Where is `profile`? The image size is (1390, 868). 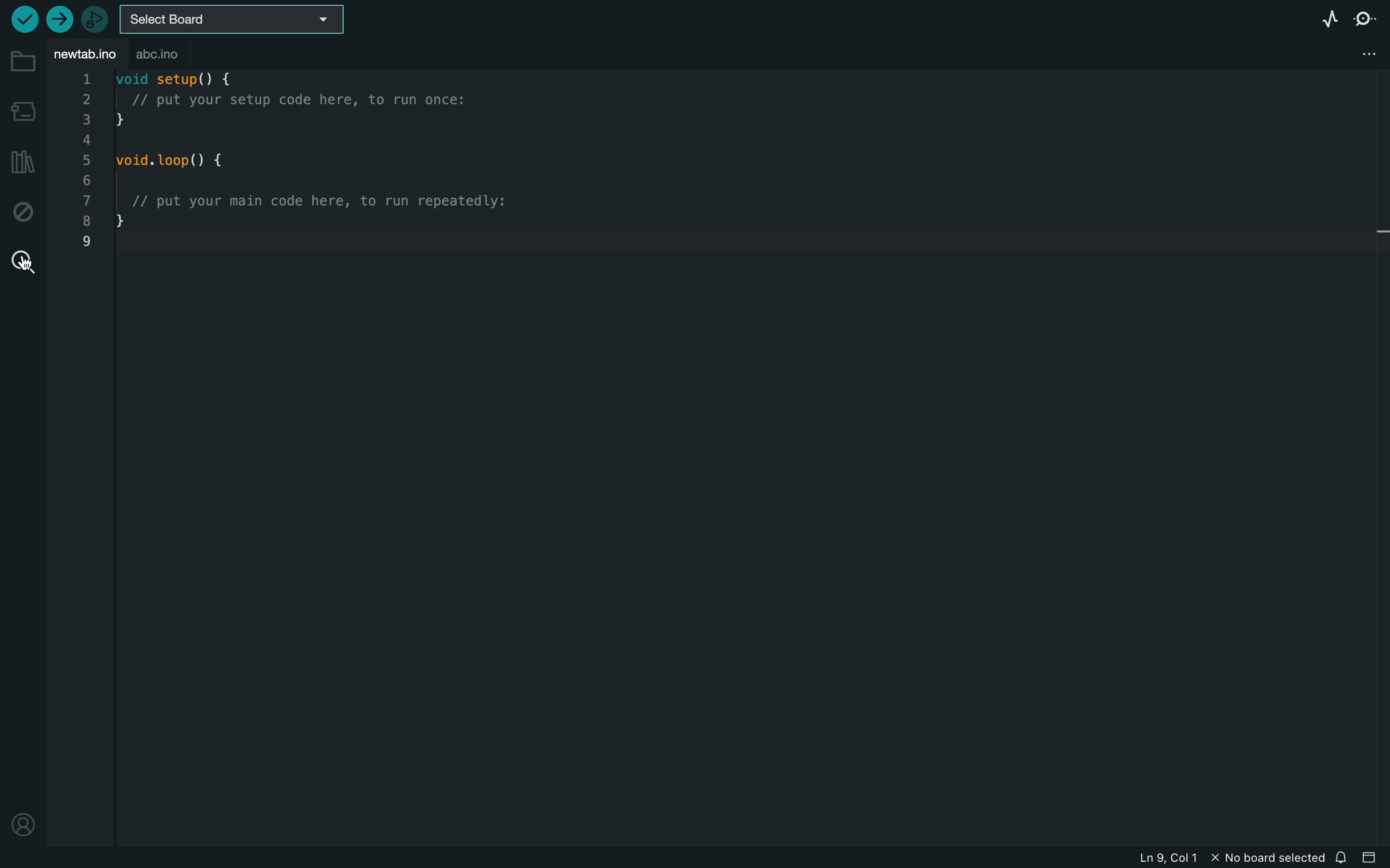
profile is located at coordinates (21, 824).